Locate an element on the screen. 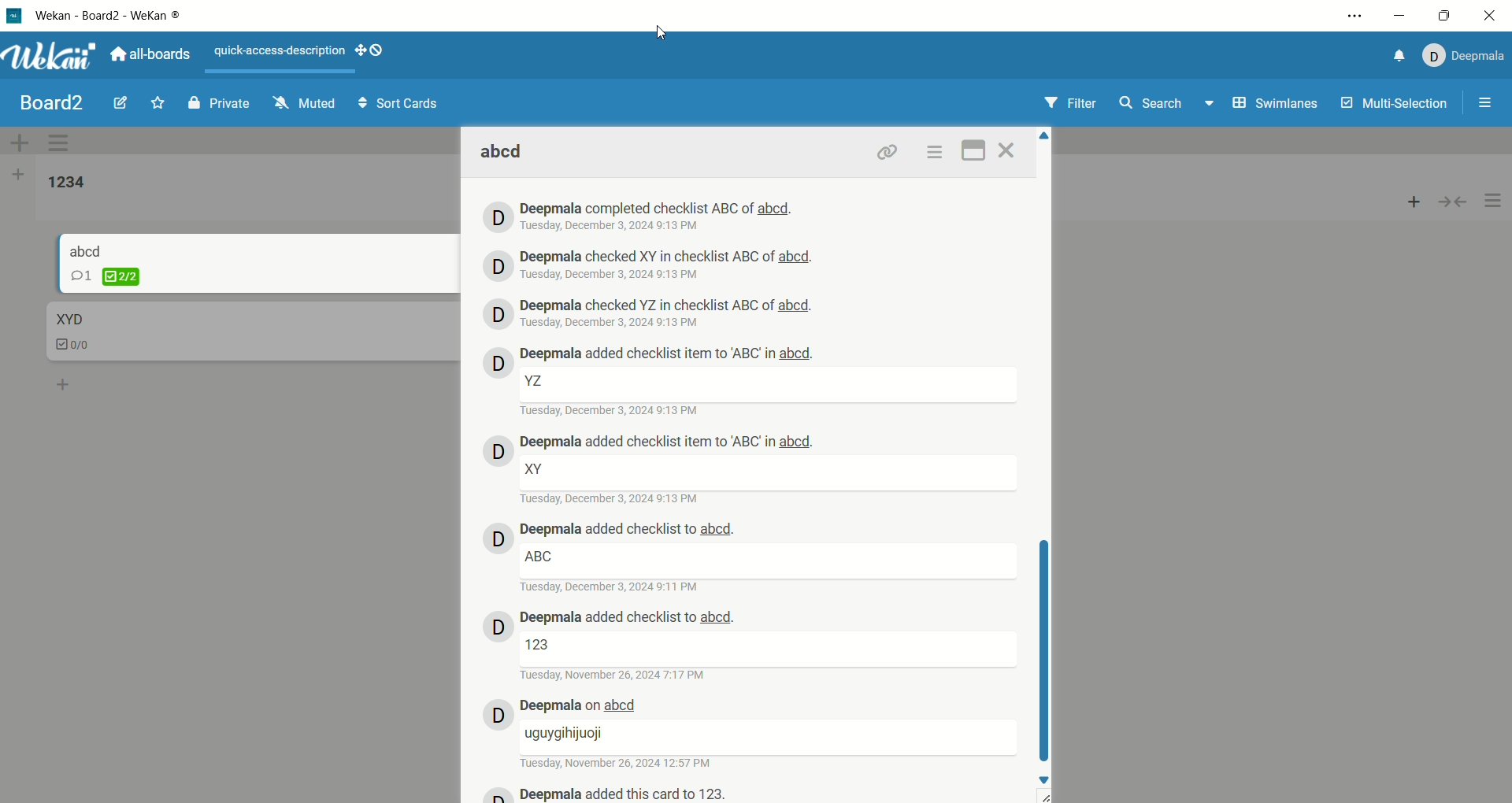 This screenshot has height=803, width=1512. muted is located at coordinates (305, 102).